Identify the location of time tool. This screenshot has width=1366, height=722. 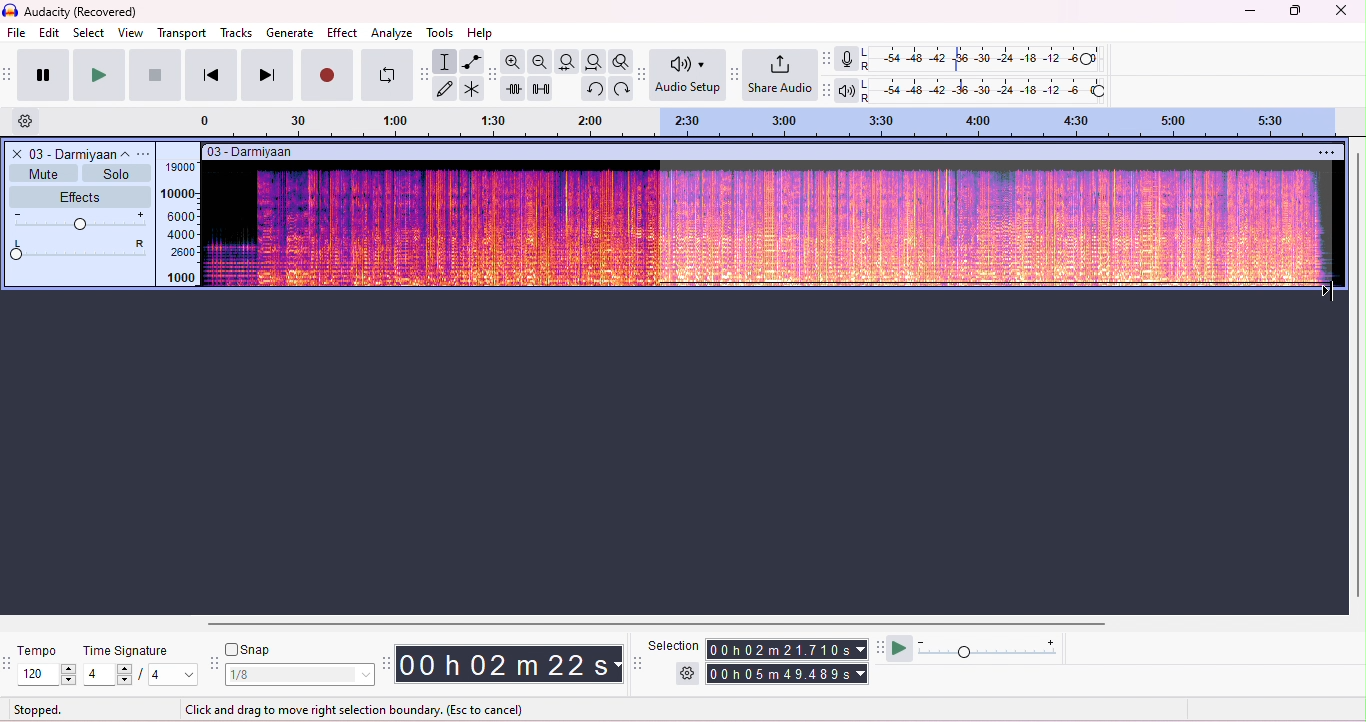
(386, 662).